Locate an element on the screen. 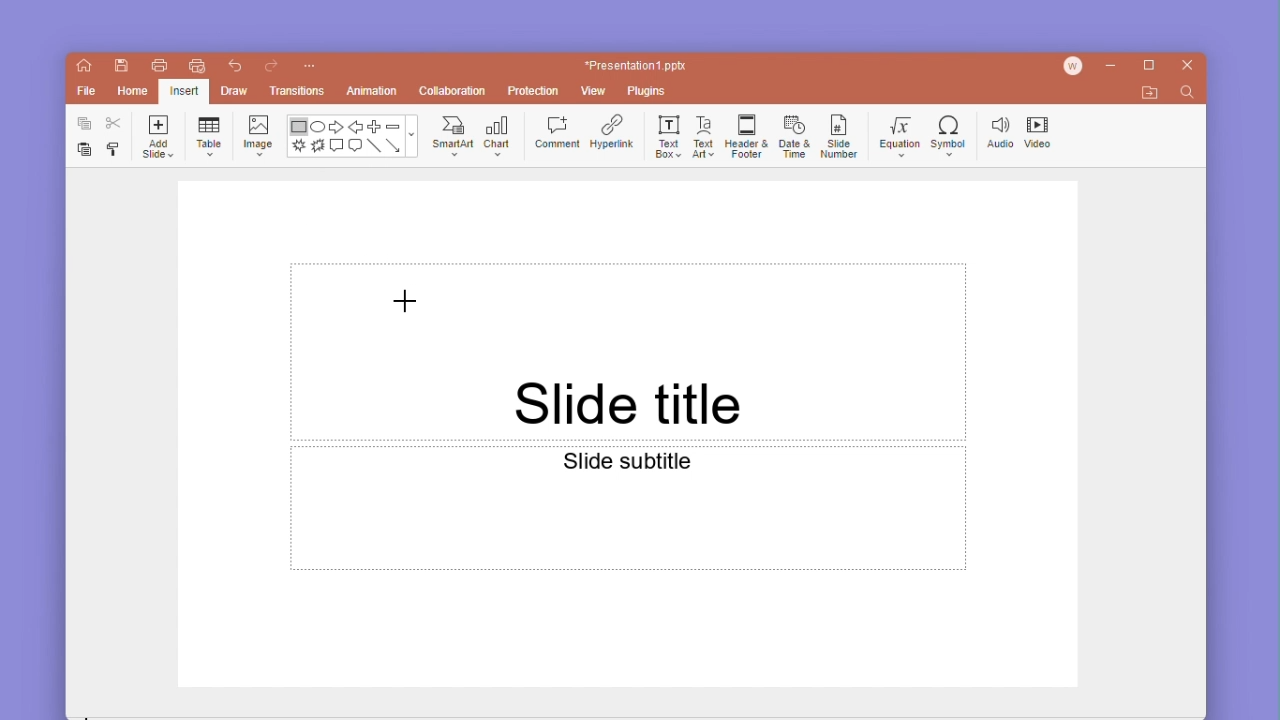 This screenshot has height=720, width=1280. symbol is located at coordinates (949, 130).